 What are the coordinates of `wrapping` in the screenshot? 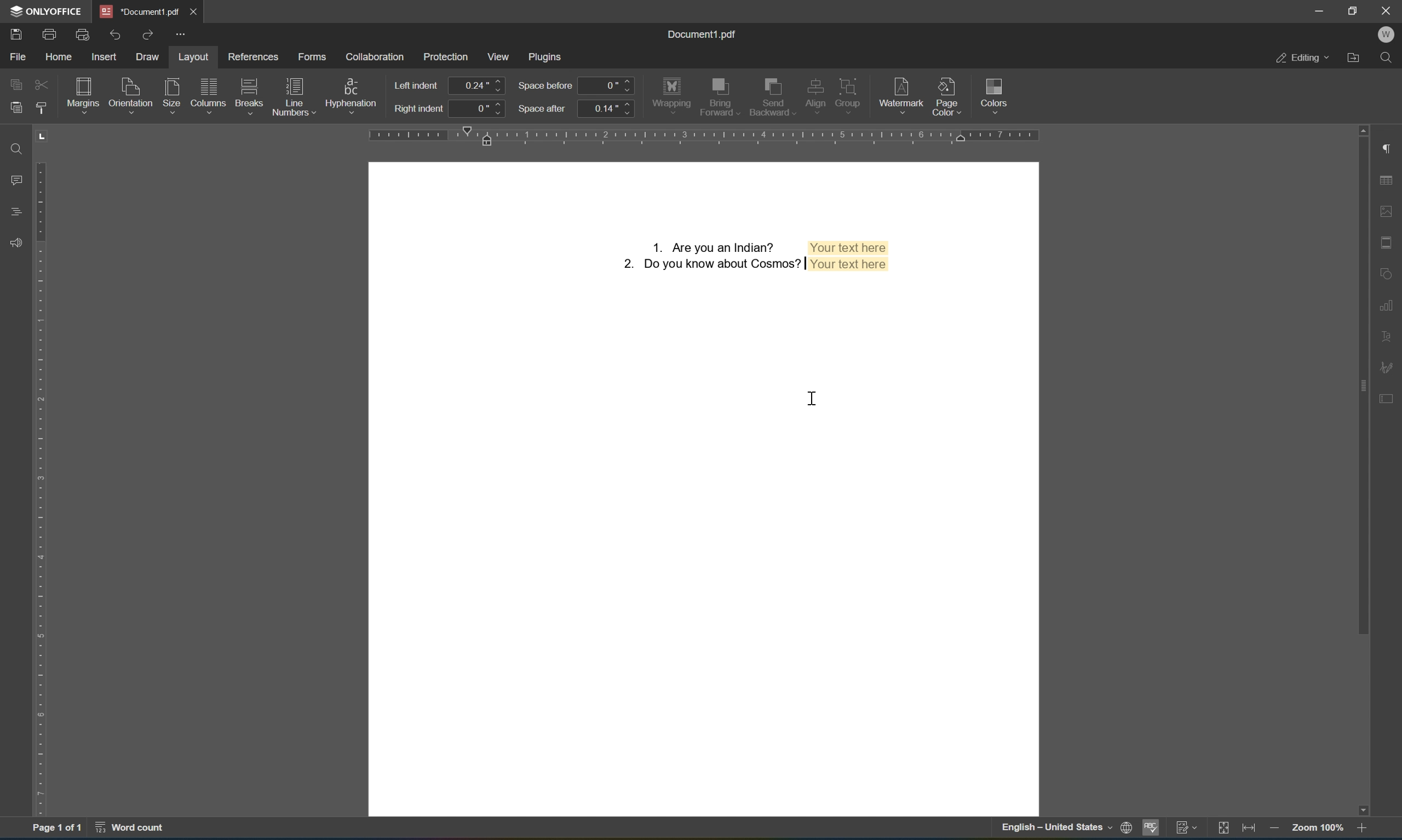 It's located at (672, 93).